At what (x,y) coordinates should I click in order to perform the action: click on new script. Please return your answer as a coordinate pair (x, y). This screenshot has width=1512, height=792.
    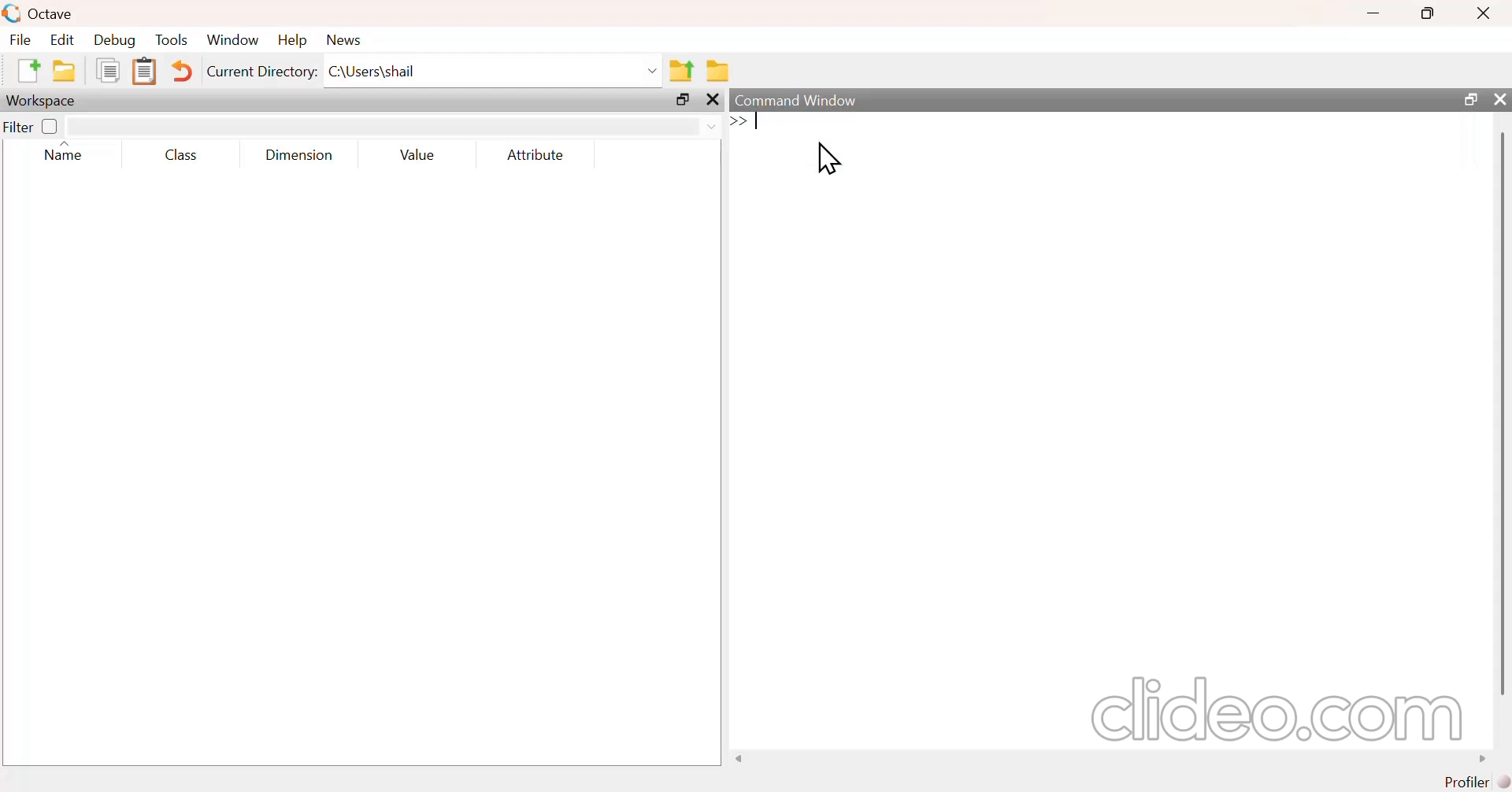
    Looking at the image, I should click on (23, 69).